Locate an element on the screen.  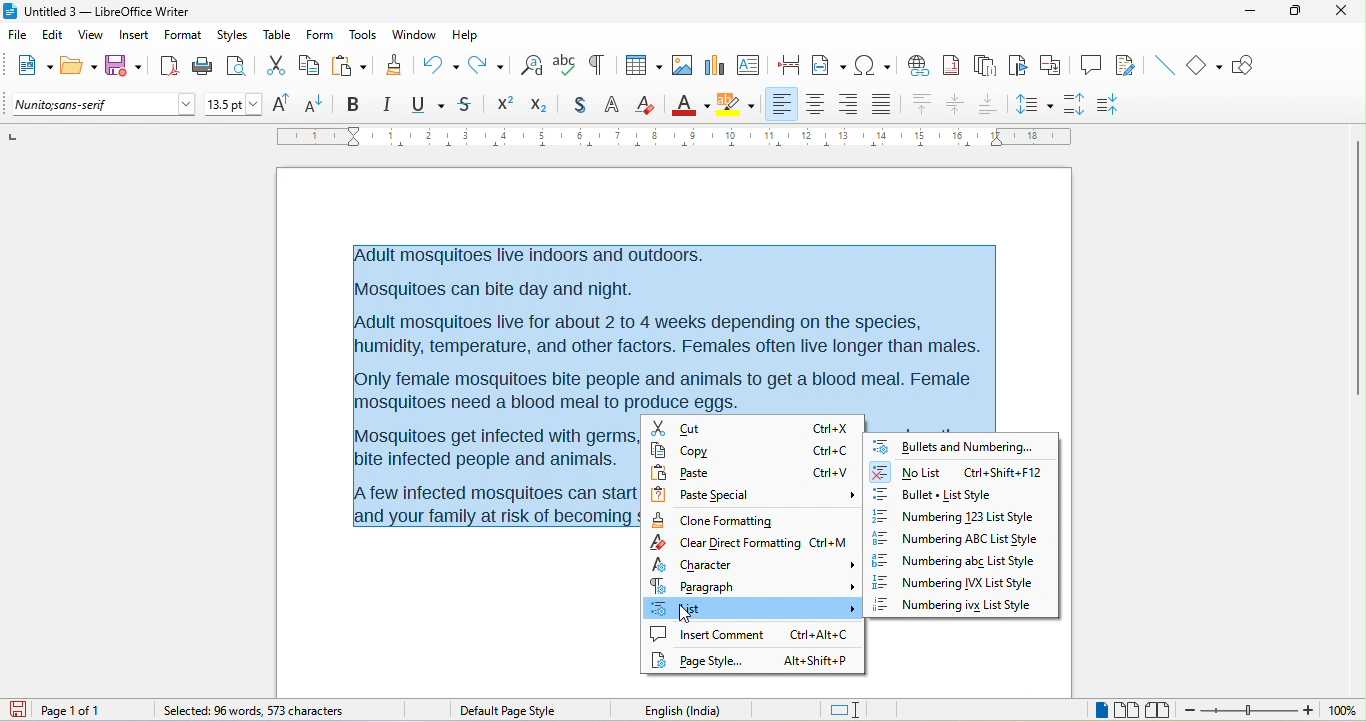
table is located at coordinates (278, 36).